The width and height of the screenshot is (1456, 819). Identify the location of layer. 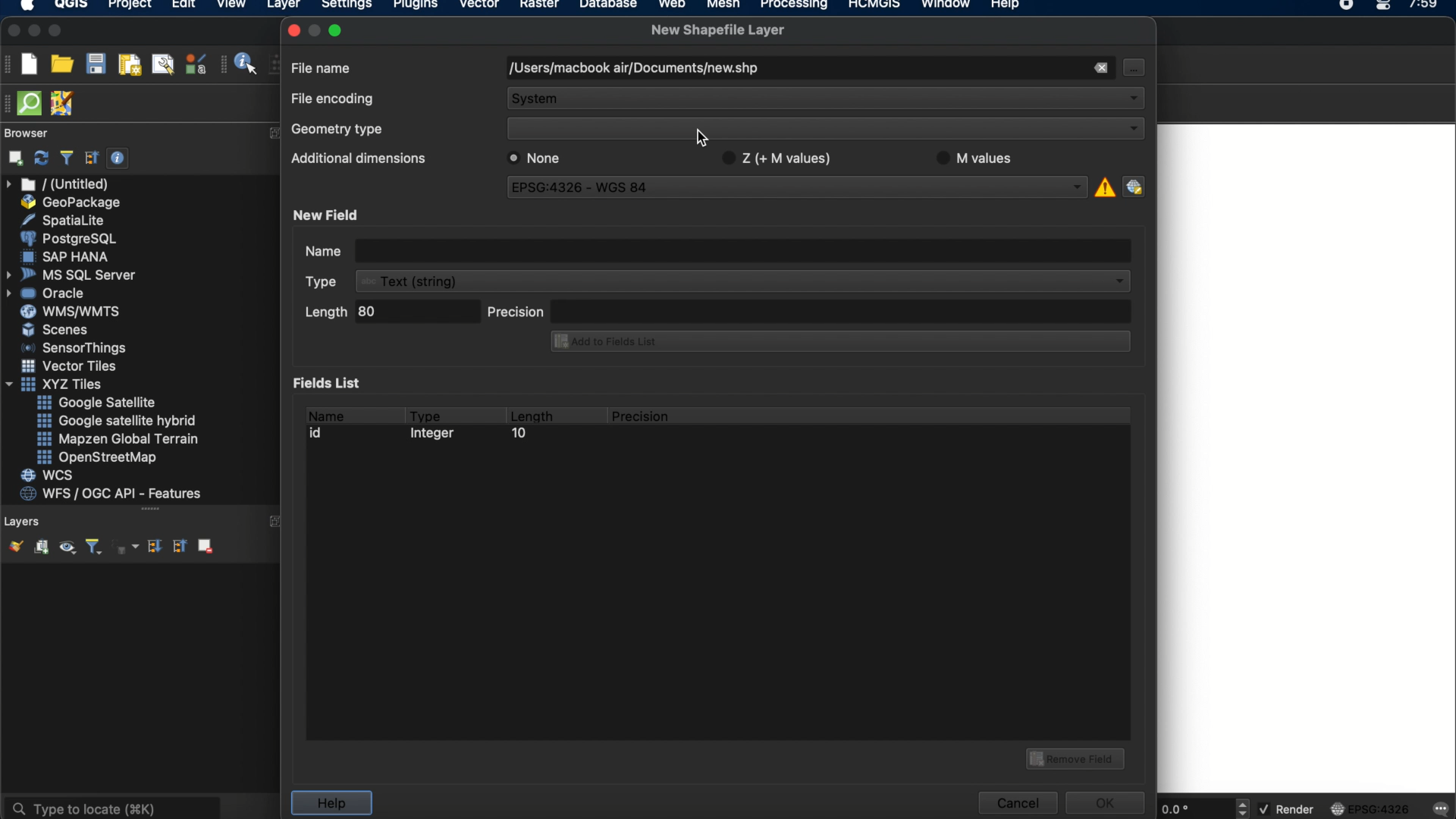
(284, 8).